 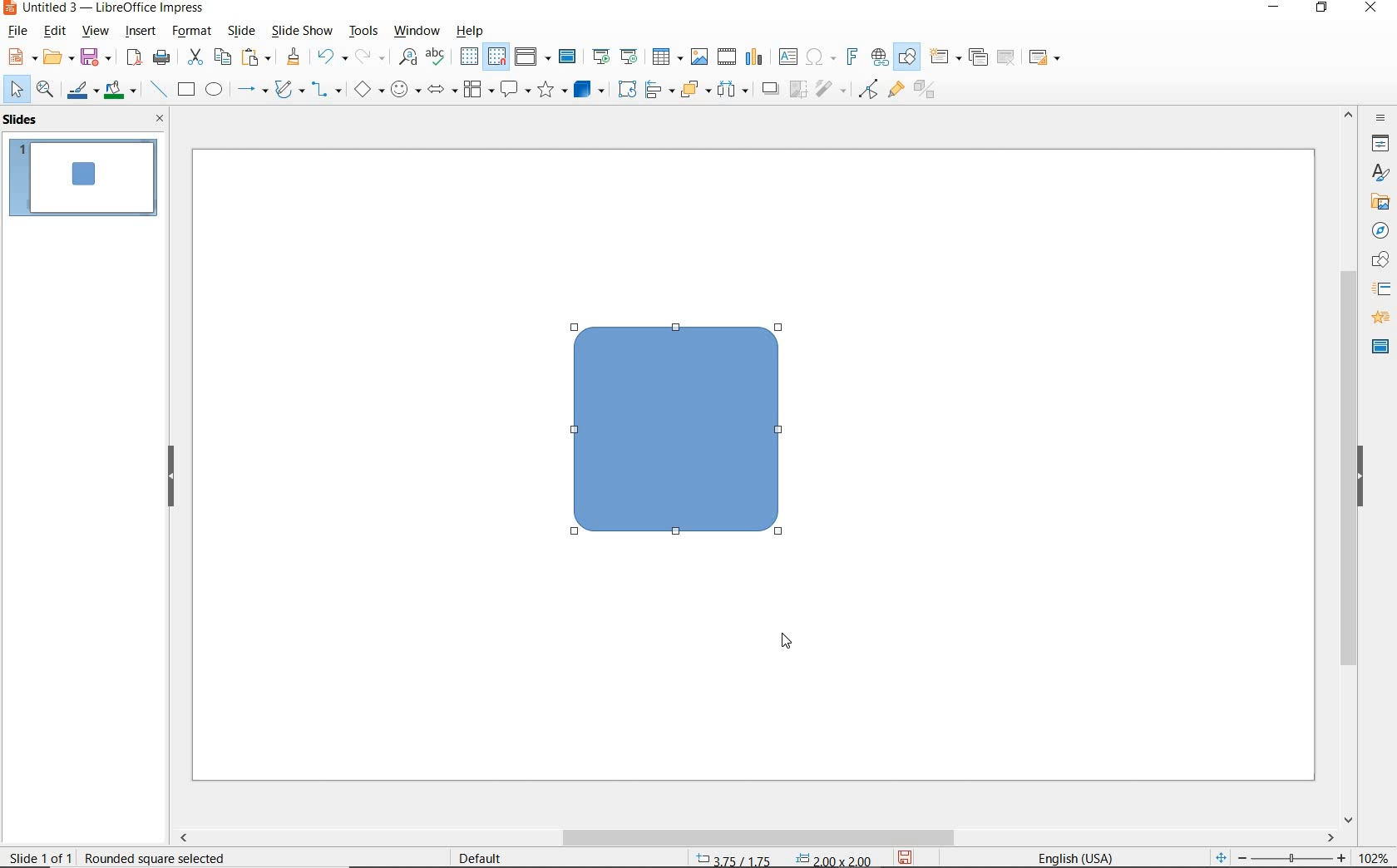 What do you see at coordinates (254, 59) in the screenshot?
I see `paste` at bounding box center [254, 59].